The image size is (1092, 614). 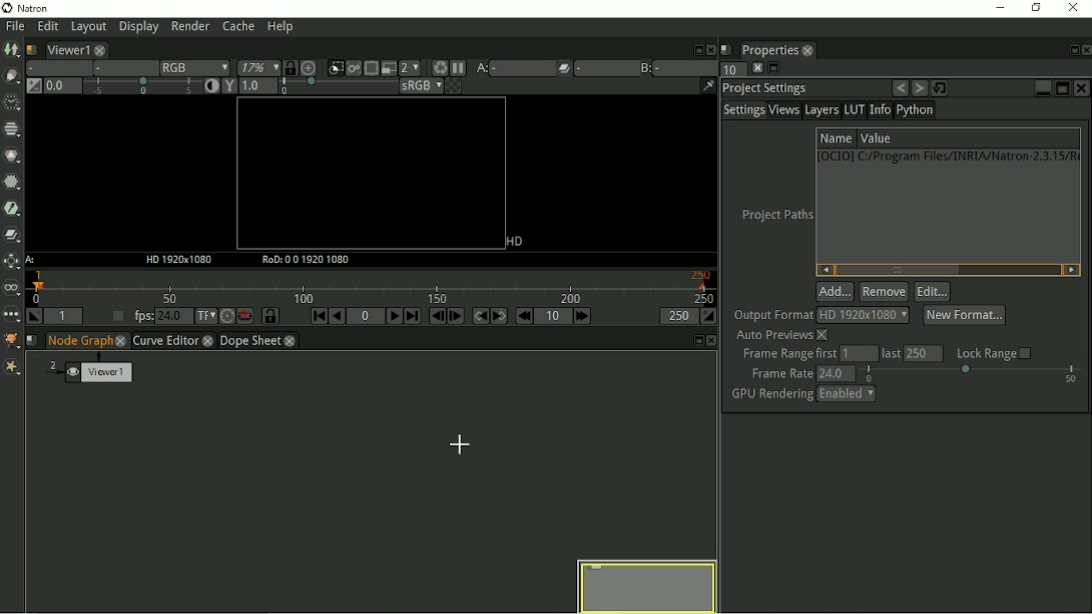 What do you see at coordinates (241, 316) in the screenshot?
I see `Behaviour` at bounding box center [241, 316].